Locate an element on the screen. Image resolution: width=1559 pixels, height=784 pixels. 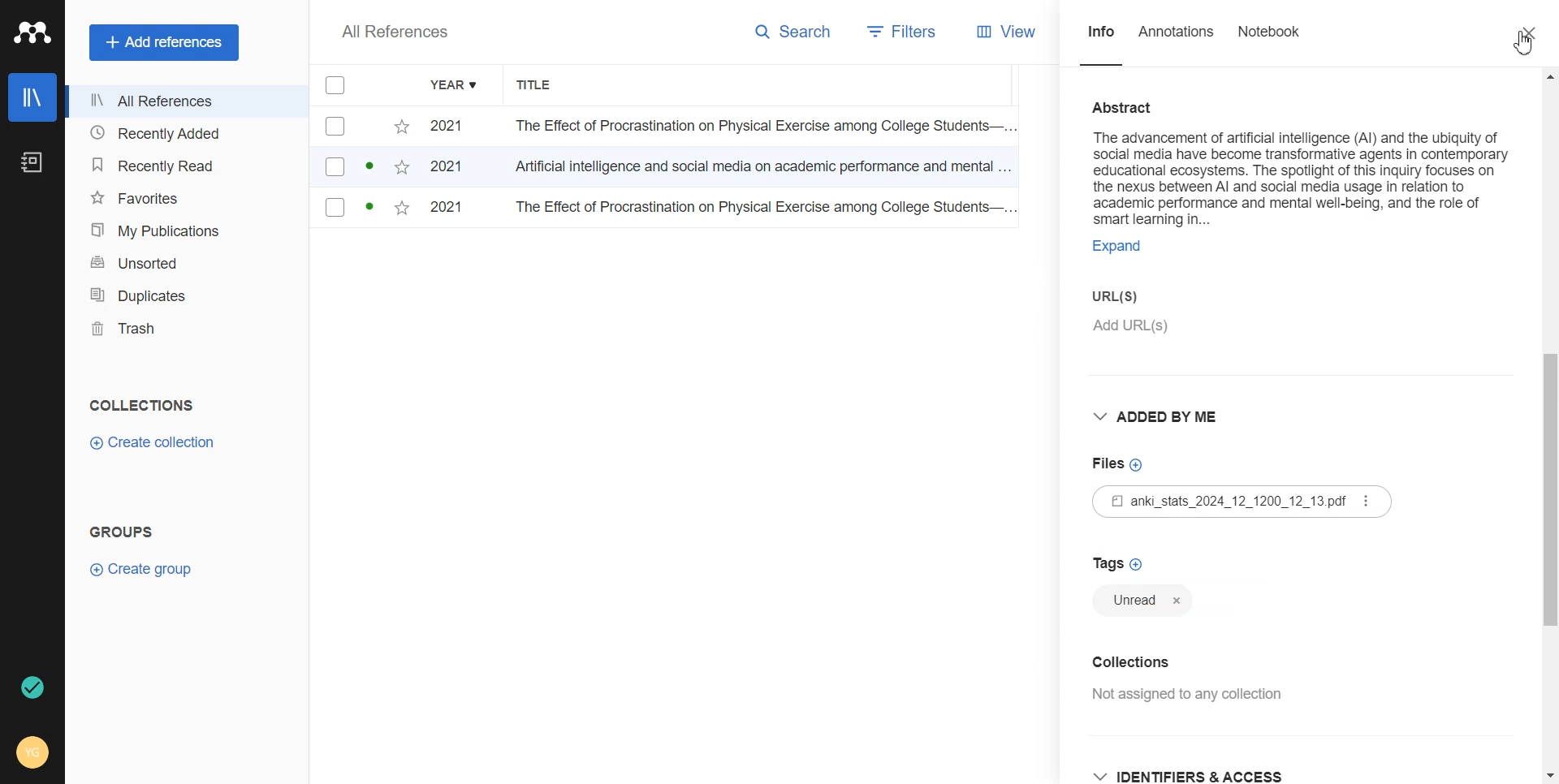
GROUPS is located at coordinates (120, 530).